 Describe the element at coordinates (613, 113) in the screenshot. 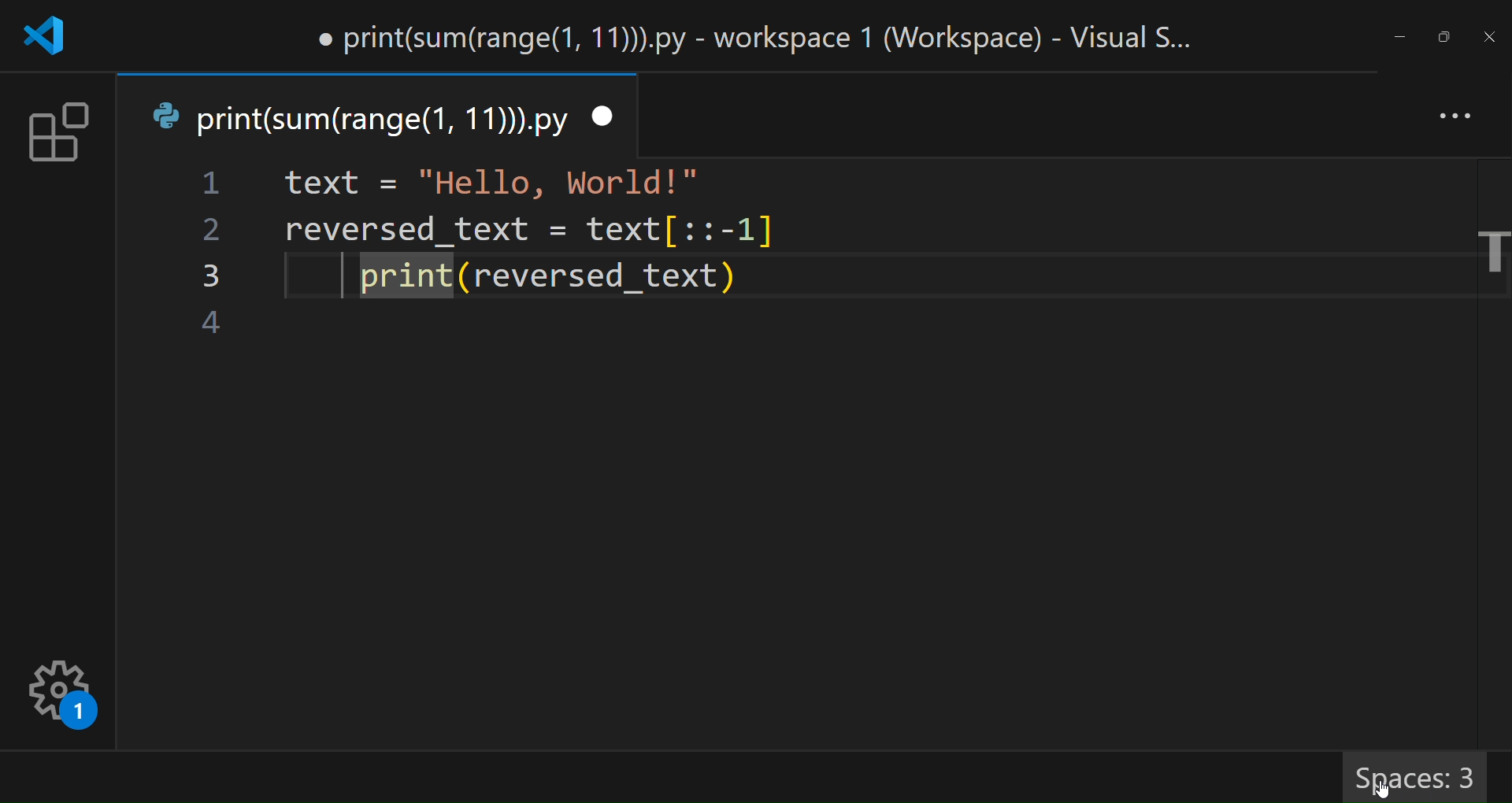

I see `close tab` at that location.